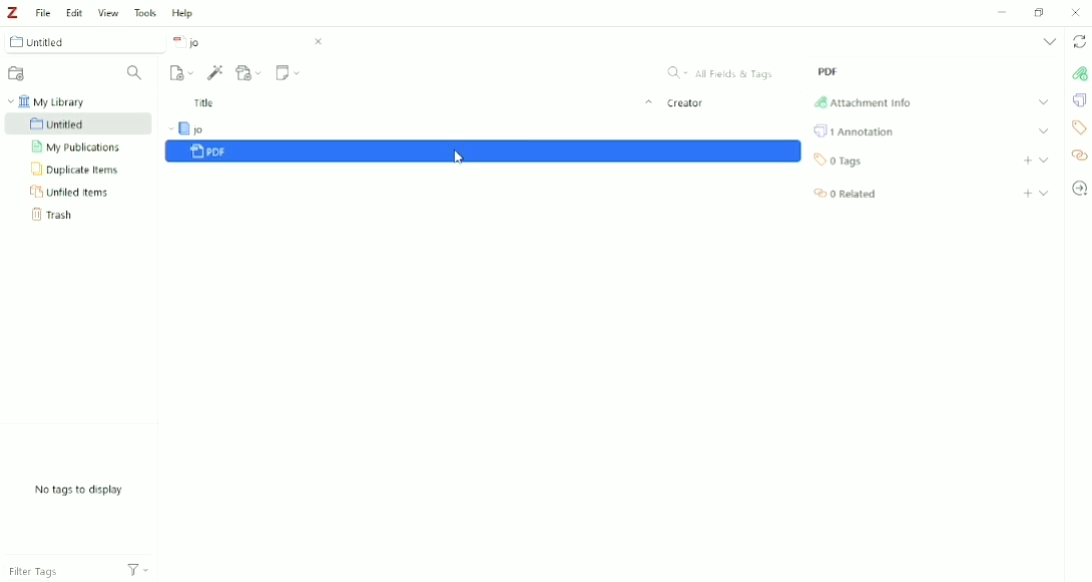 Image resolution: width=1092 pixels, height=582 pixels. What do you see at coordinates (1077, 128) in the screenshot?
I see `Tags` at bounding box center [1077, 128].